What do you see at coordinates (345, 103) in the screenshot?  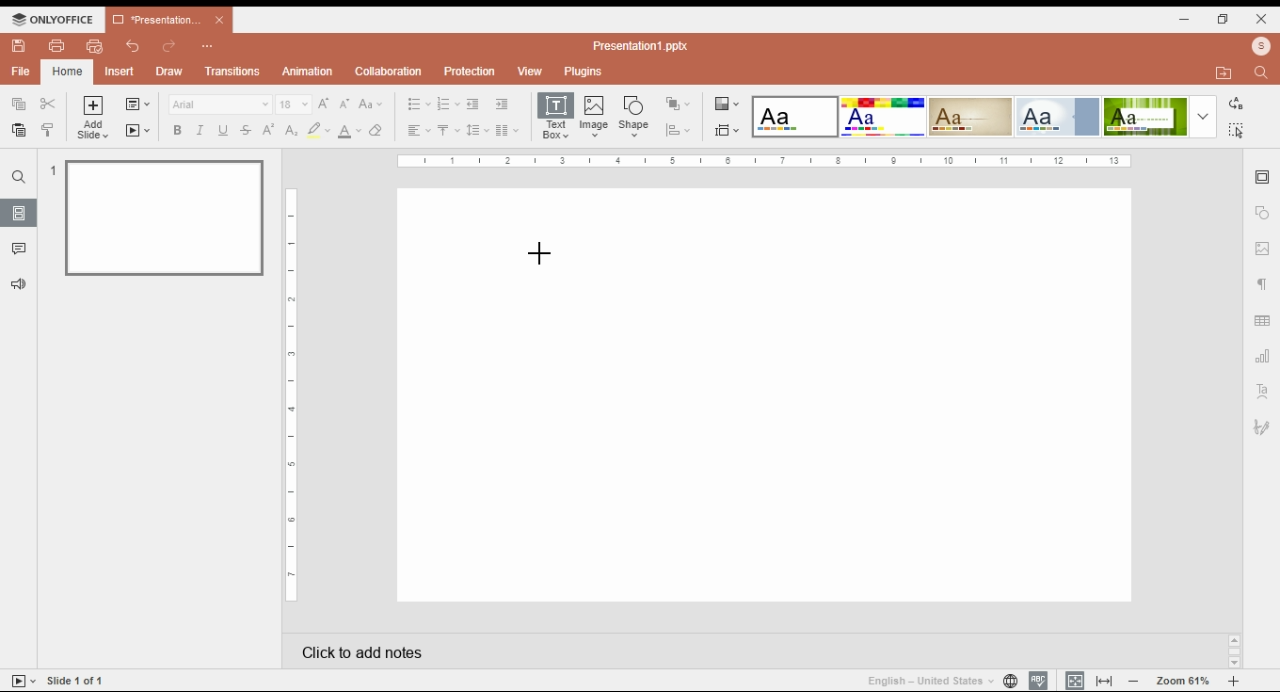 I see `decrement font size` at bounding box center [345, 103].